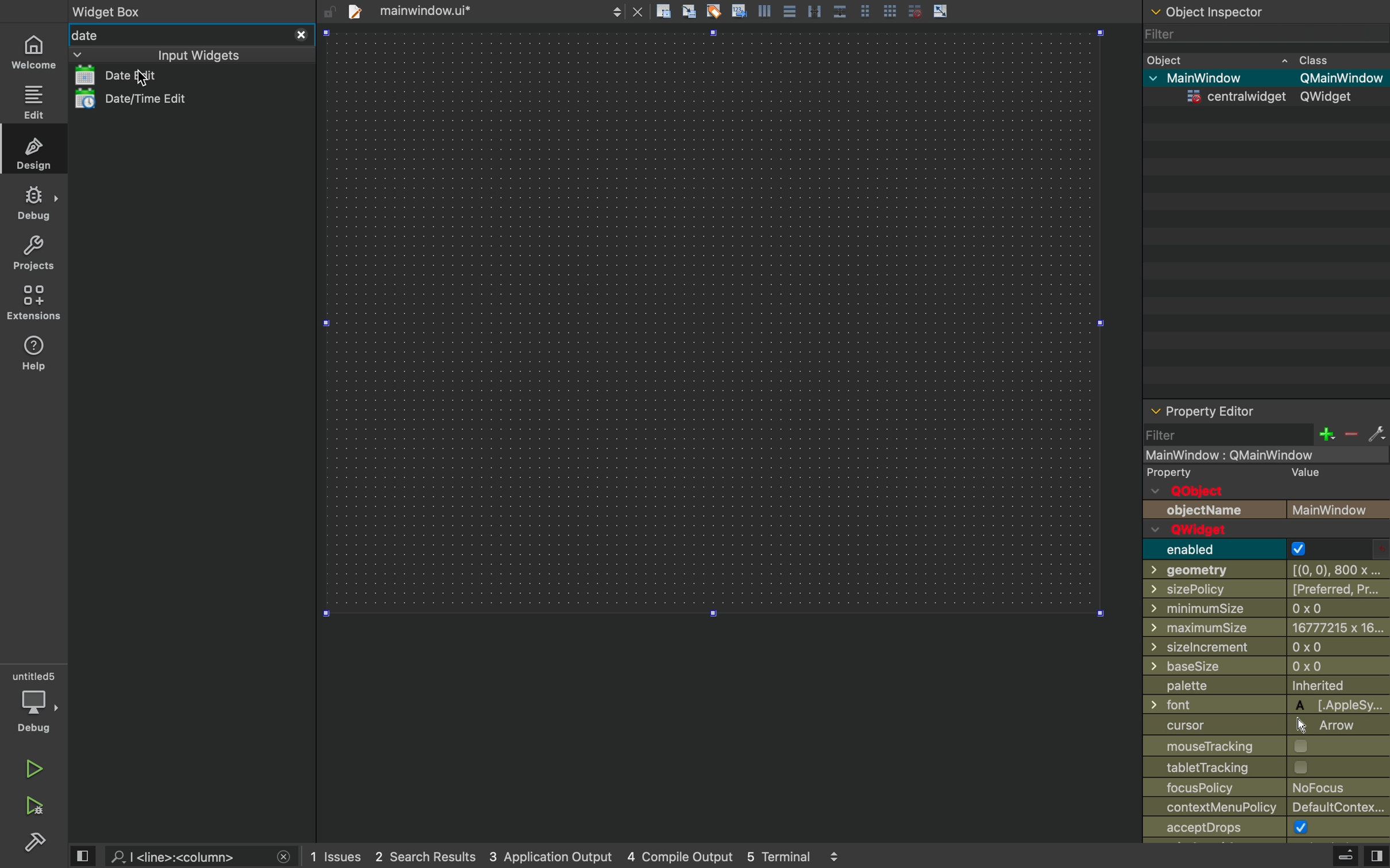  Describe the element at coordinates (1267, 649) in the screenshot. I see `sizeincrement` at that location.